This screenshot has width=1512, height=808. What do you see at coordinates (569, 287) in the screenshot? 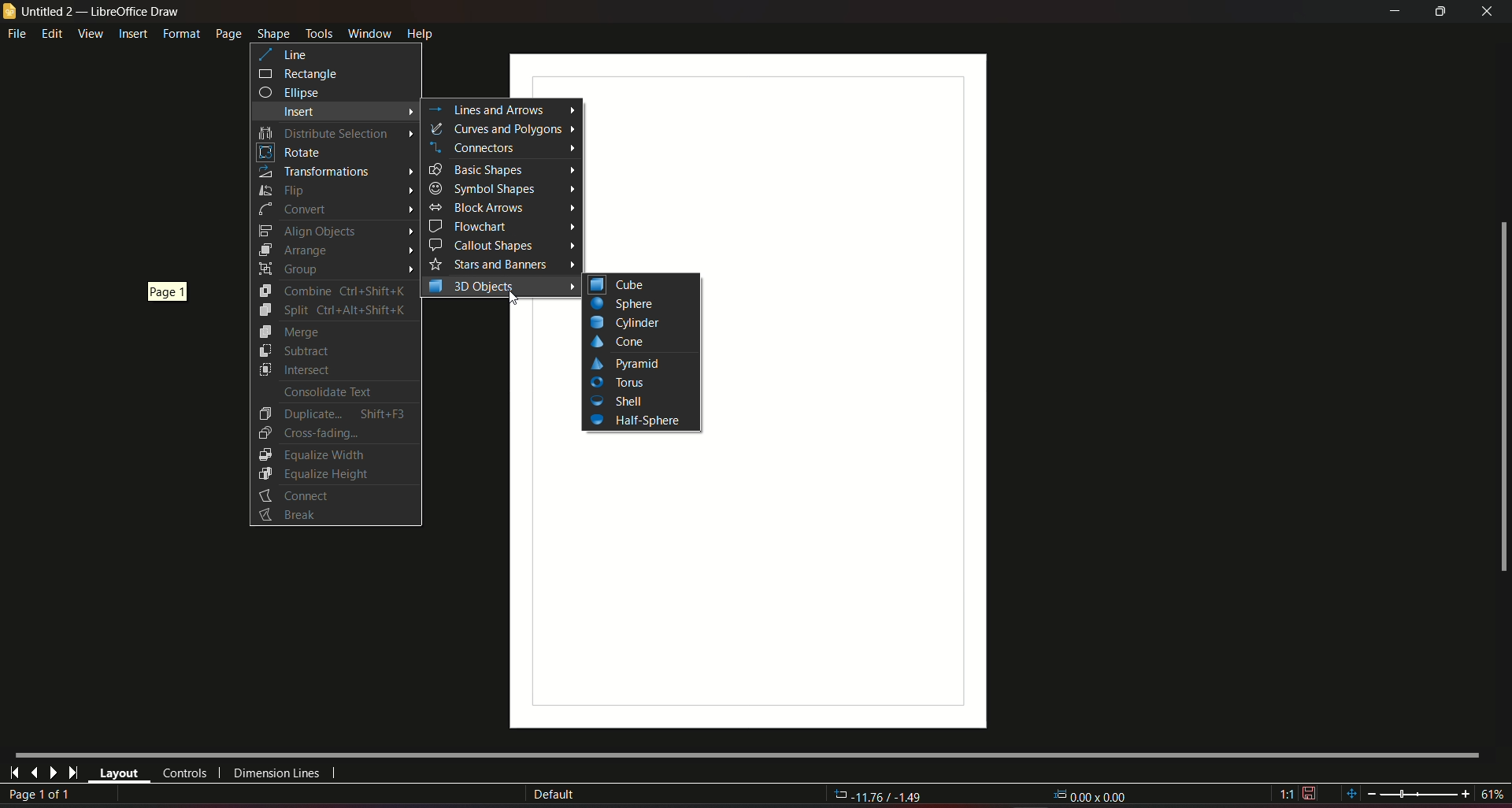
I see `Arrow` at bounding box center [569, 287].